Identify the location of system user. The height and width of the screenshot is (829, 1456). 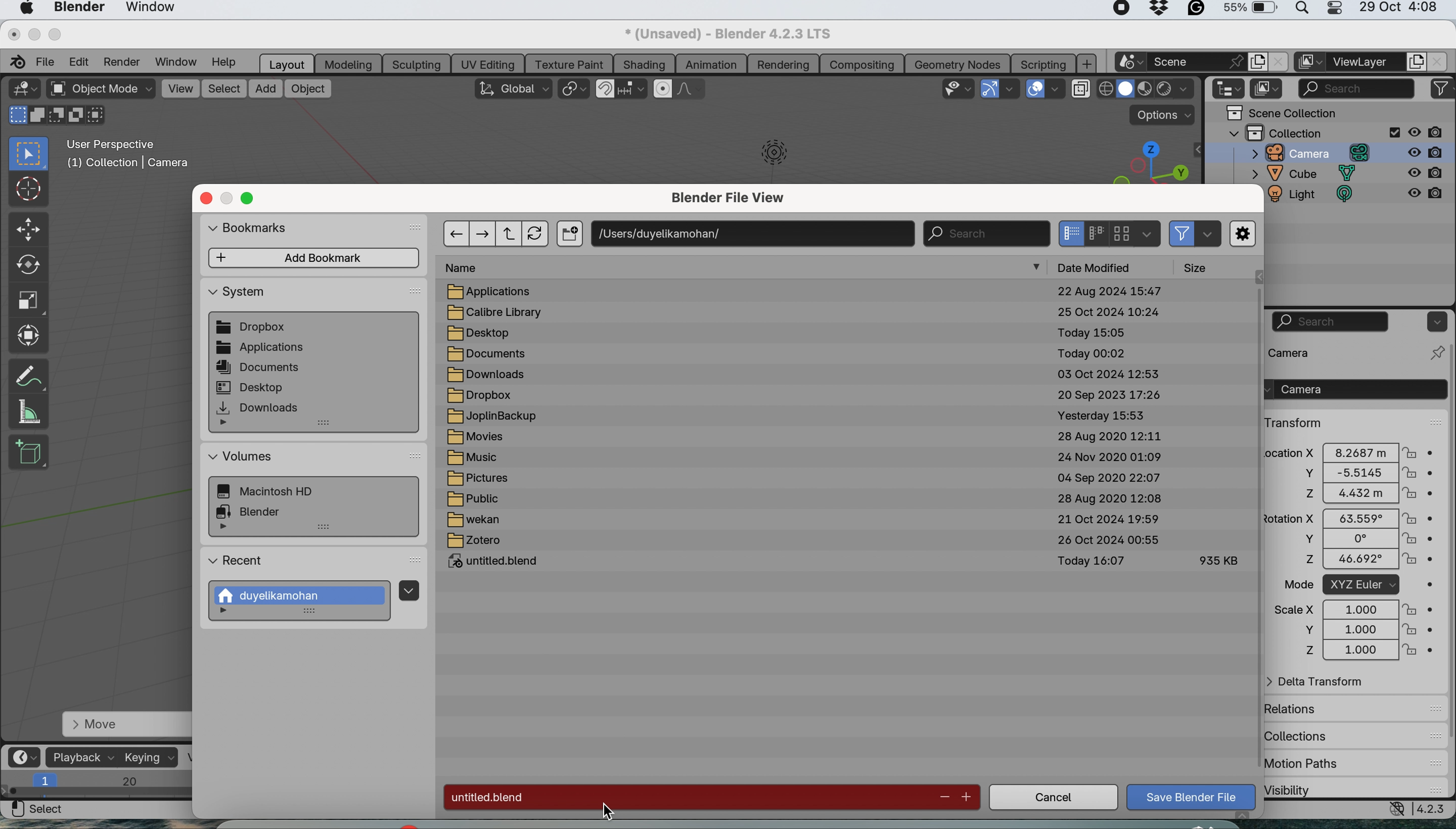
(303, 596).